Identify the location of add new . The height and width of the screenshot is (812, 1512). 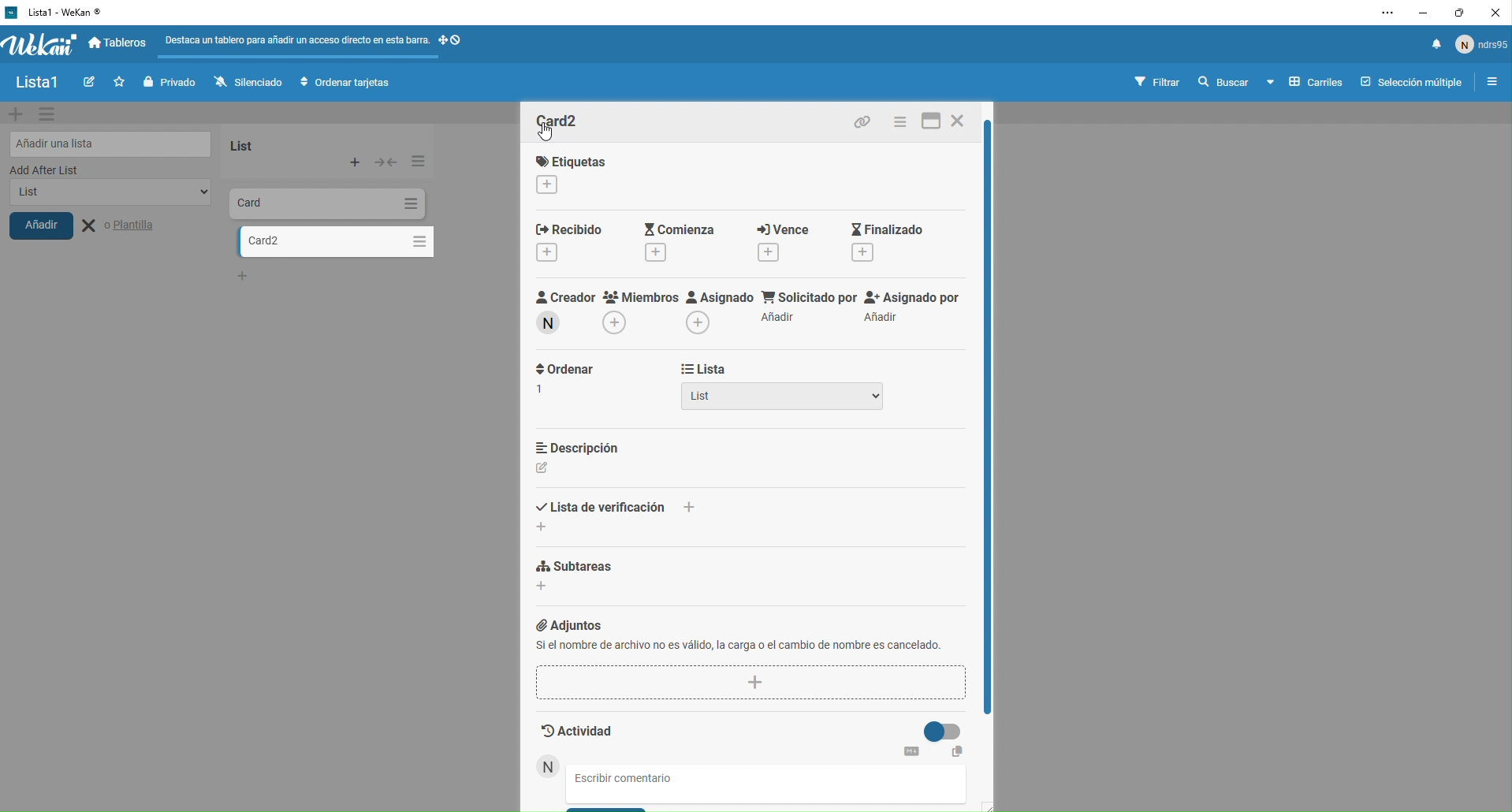
(16, 114).